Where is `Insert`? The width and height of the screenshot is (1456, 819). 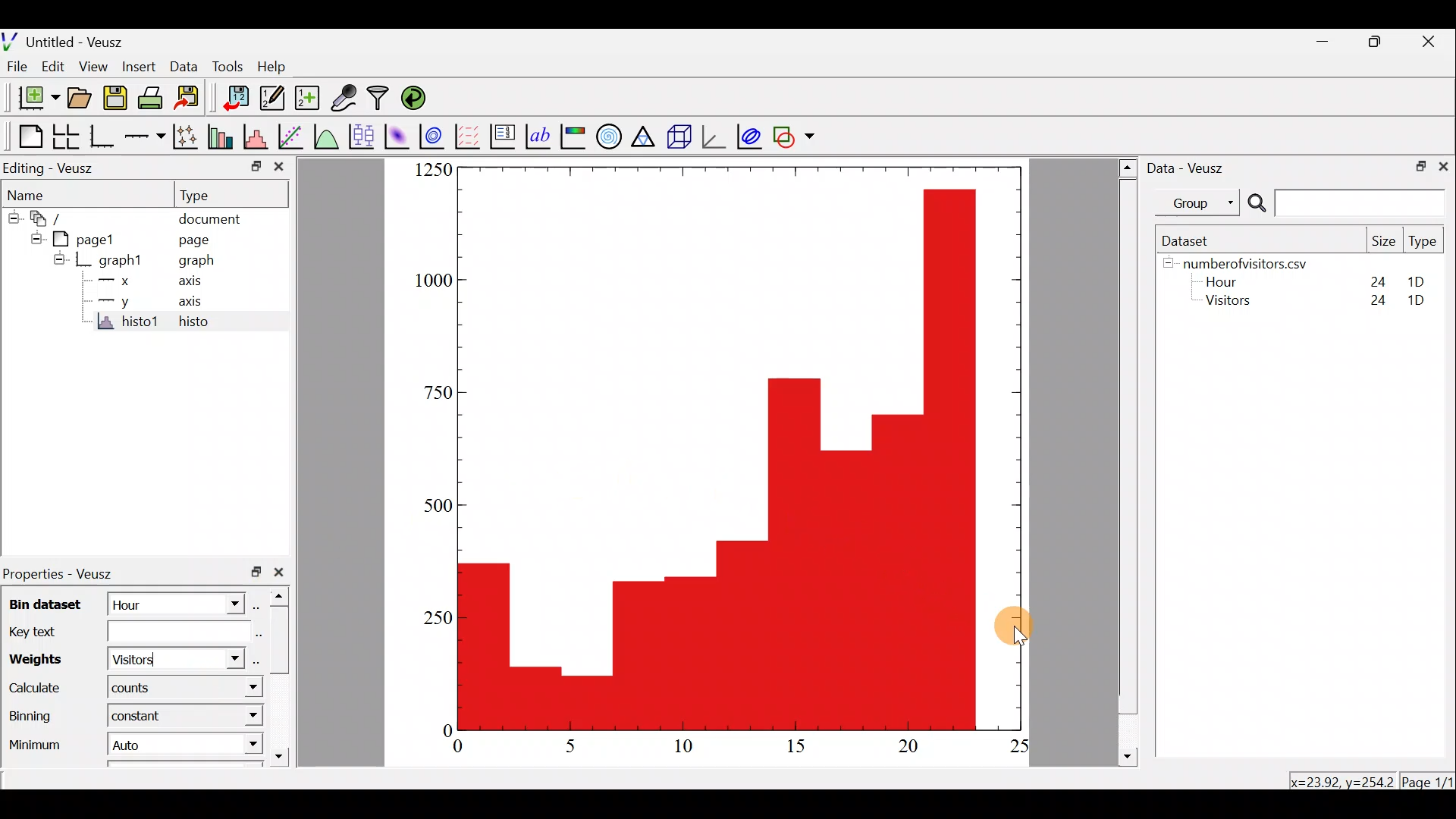 Insert is located at coordinates (140, 66).